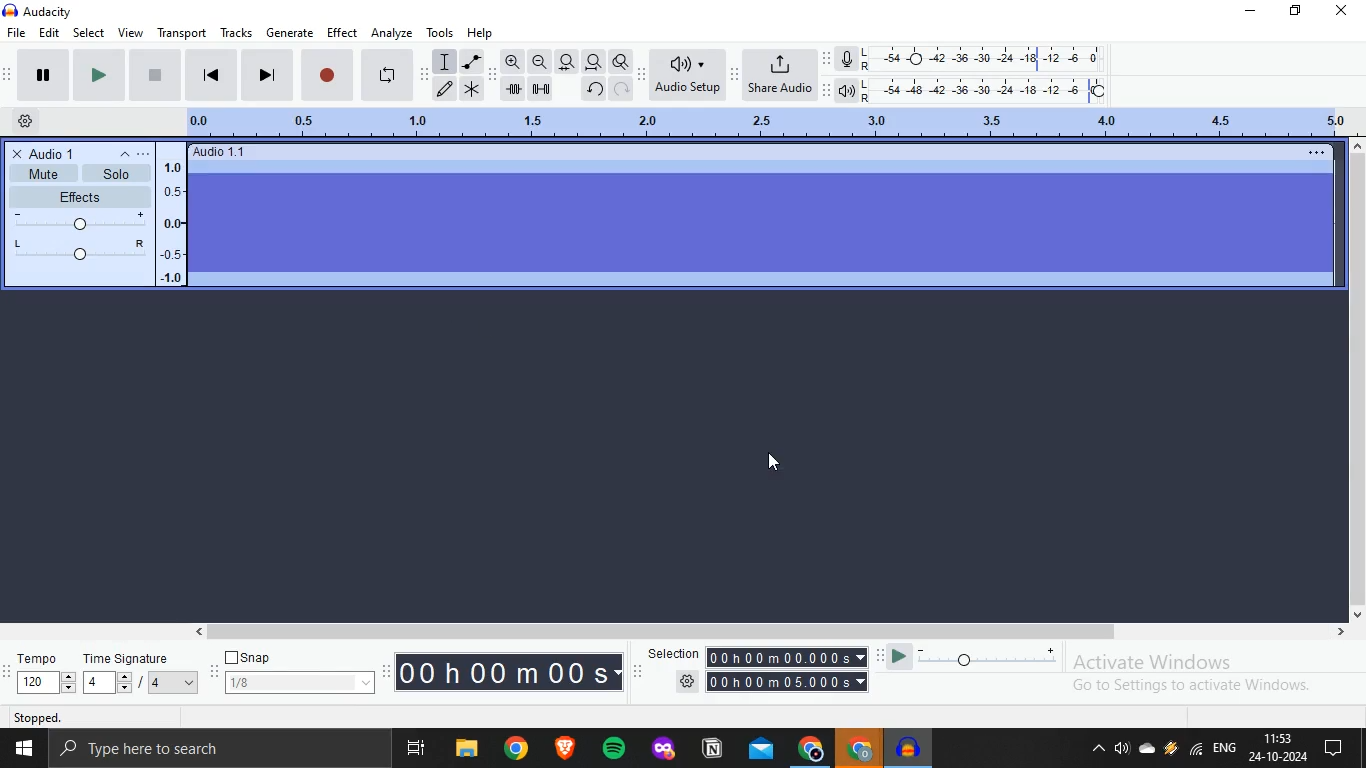 This screenshot has height=768, width=1366. What do you see at coordinates (910, 748) in the screenshot?
I see `Music Playe` at bounding box center [910, 748].